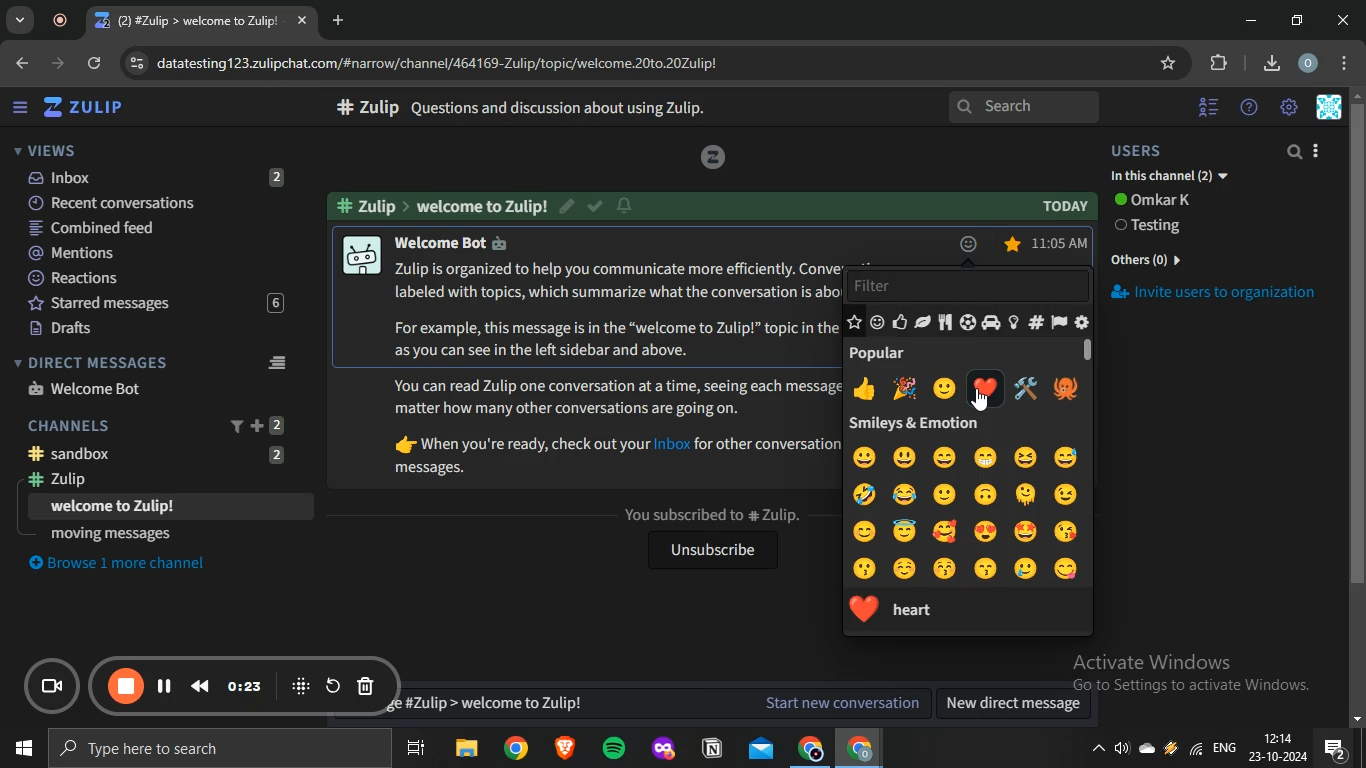  I want to click on , so click(1316, 152).